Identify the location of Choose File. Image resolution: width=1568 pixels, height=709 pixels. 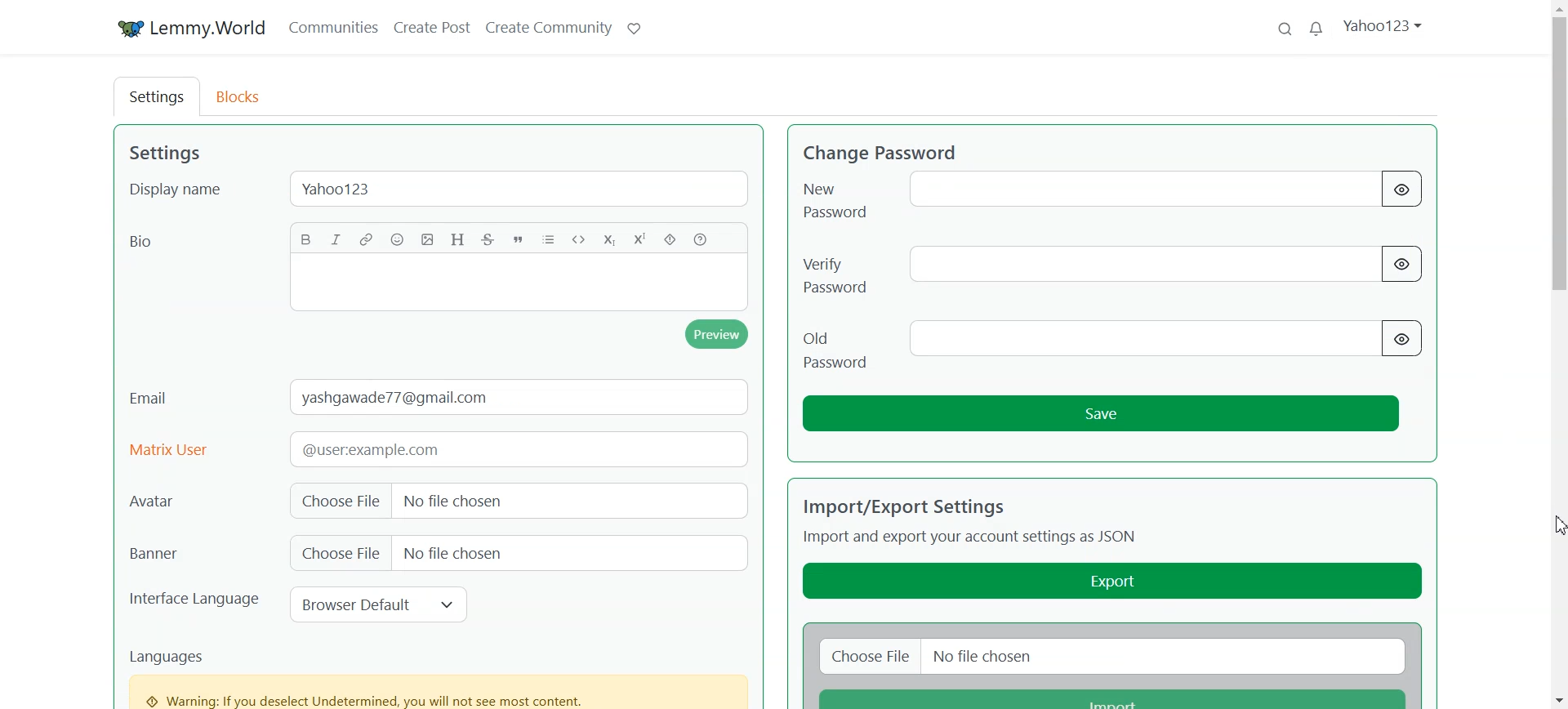
(338, 554).